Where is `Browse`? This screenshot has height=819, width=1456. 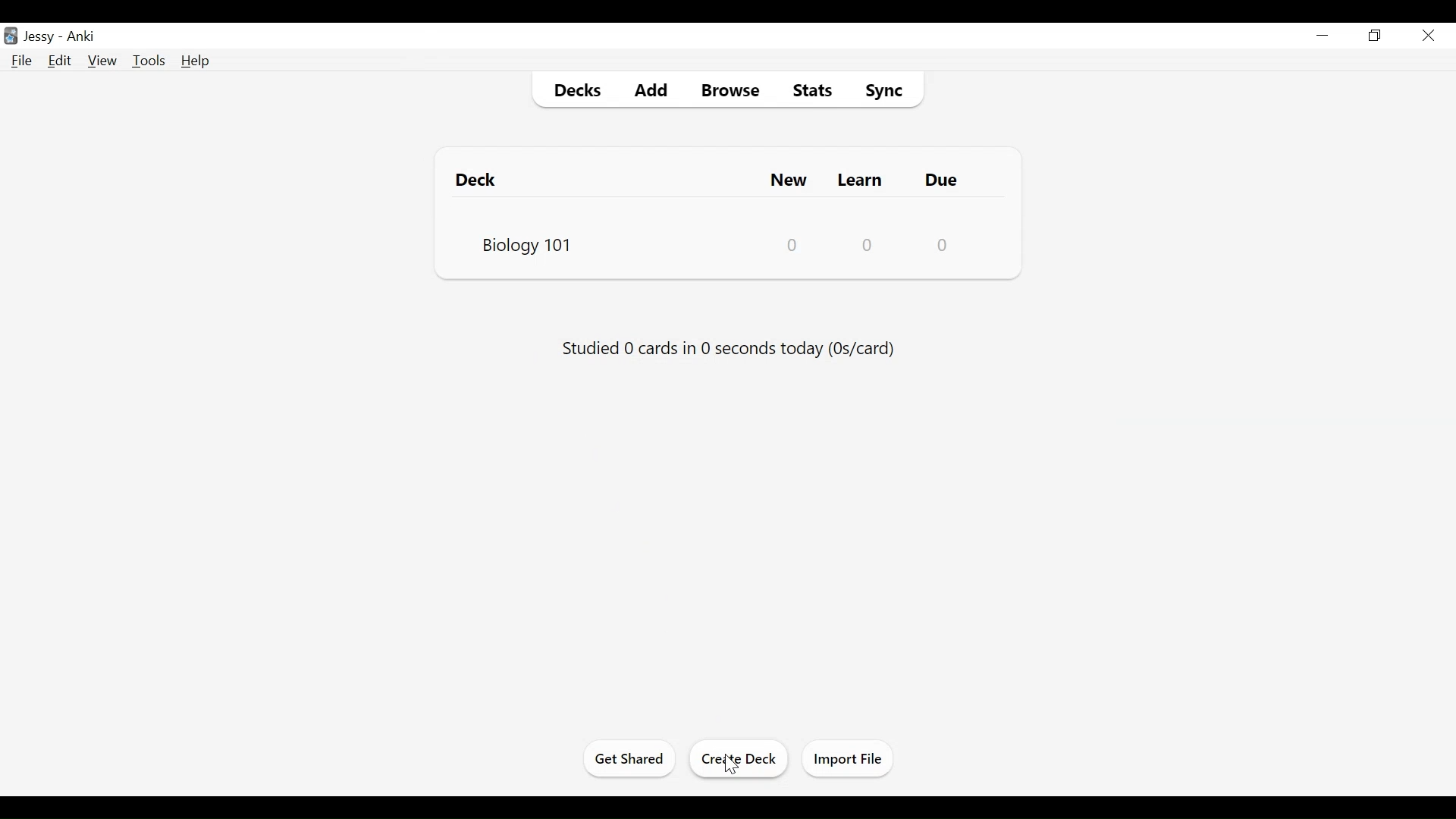
Browse is located at coordinates (727, 88).